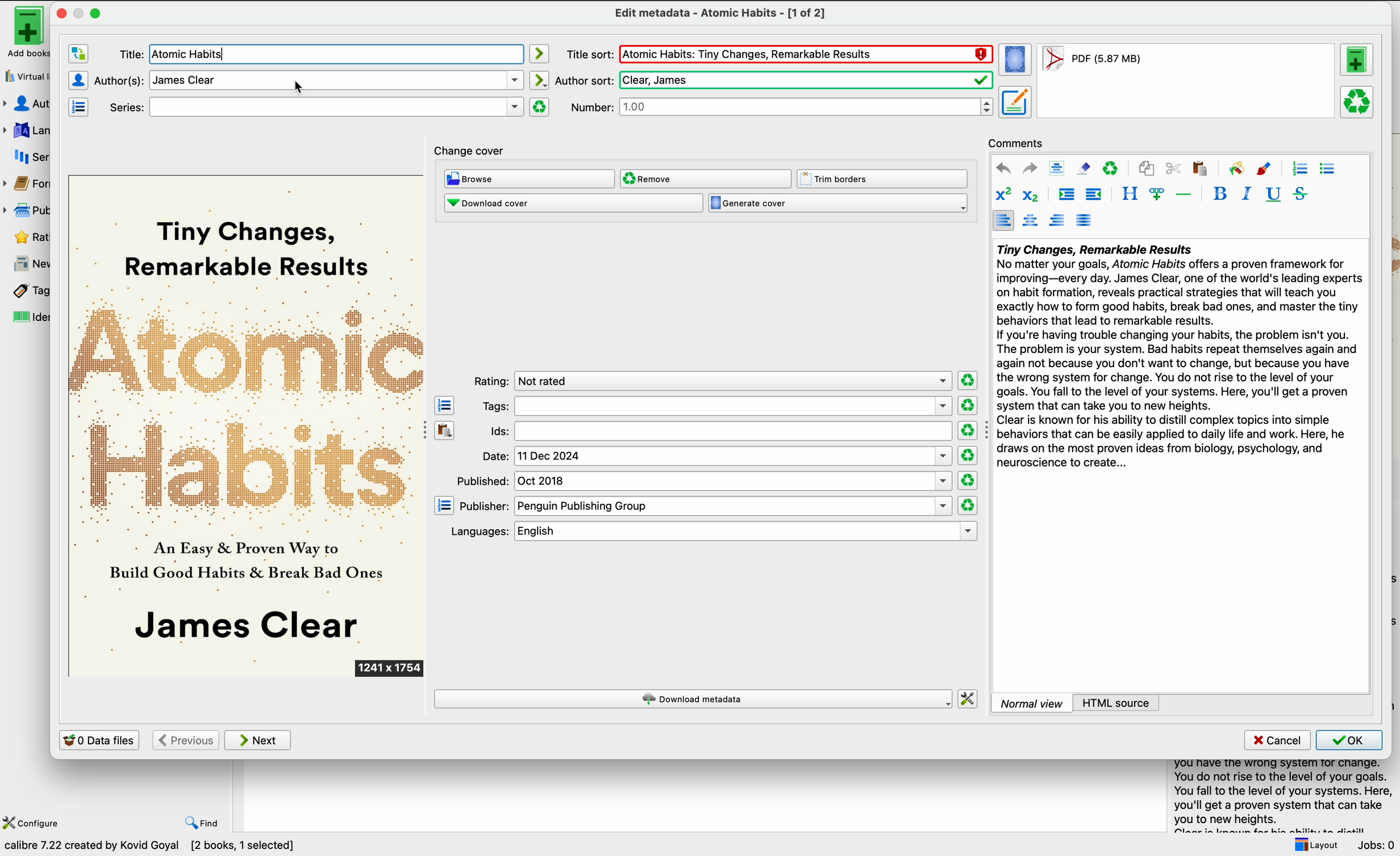 The width and height of the screenshot is (1400, 856). Describe the element at coordinates (589, 54) in the screenshot. I see `title sort:` at that location.